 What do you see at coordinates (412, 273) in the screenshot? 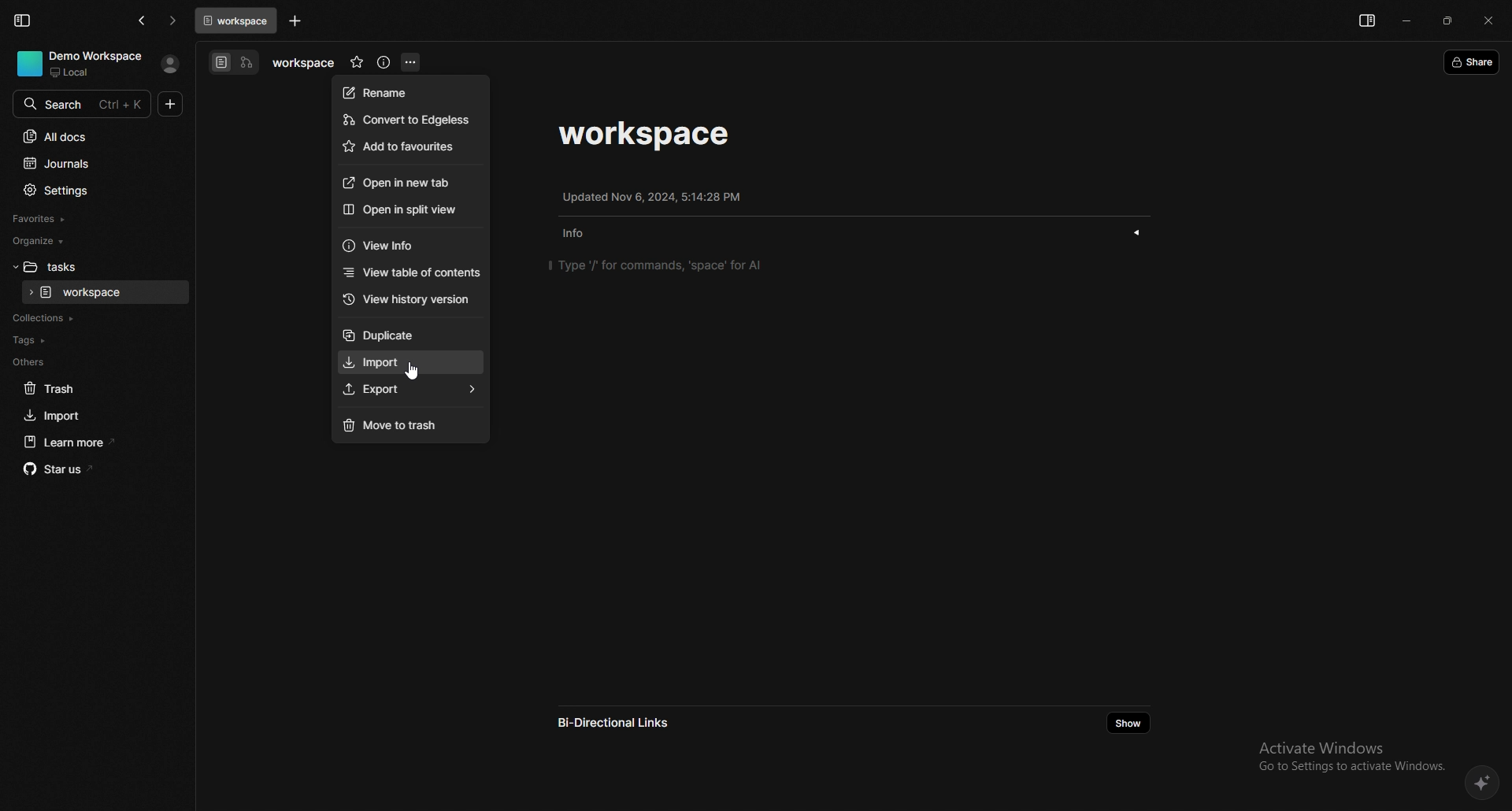
I see `view table of contents` at bounding box center [412, 273].